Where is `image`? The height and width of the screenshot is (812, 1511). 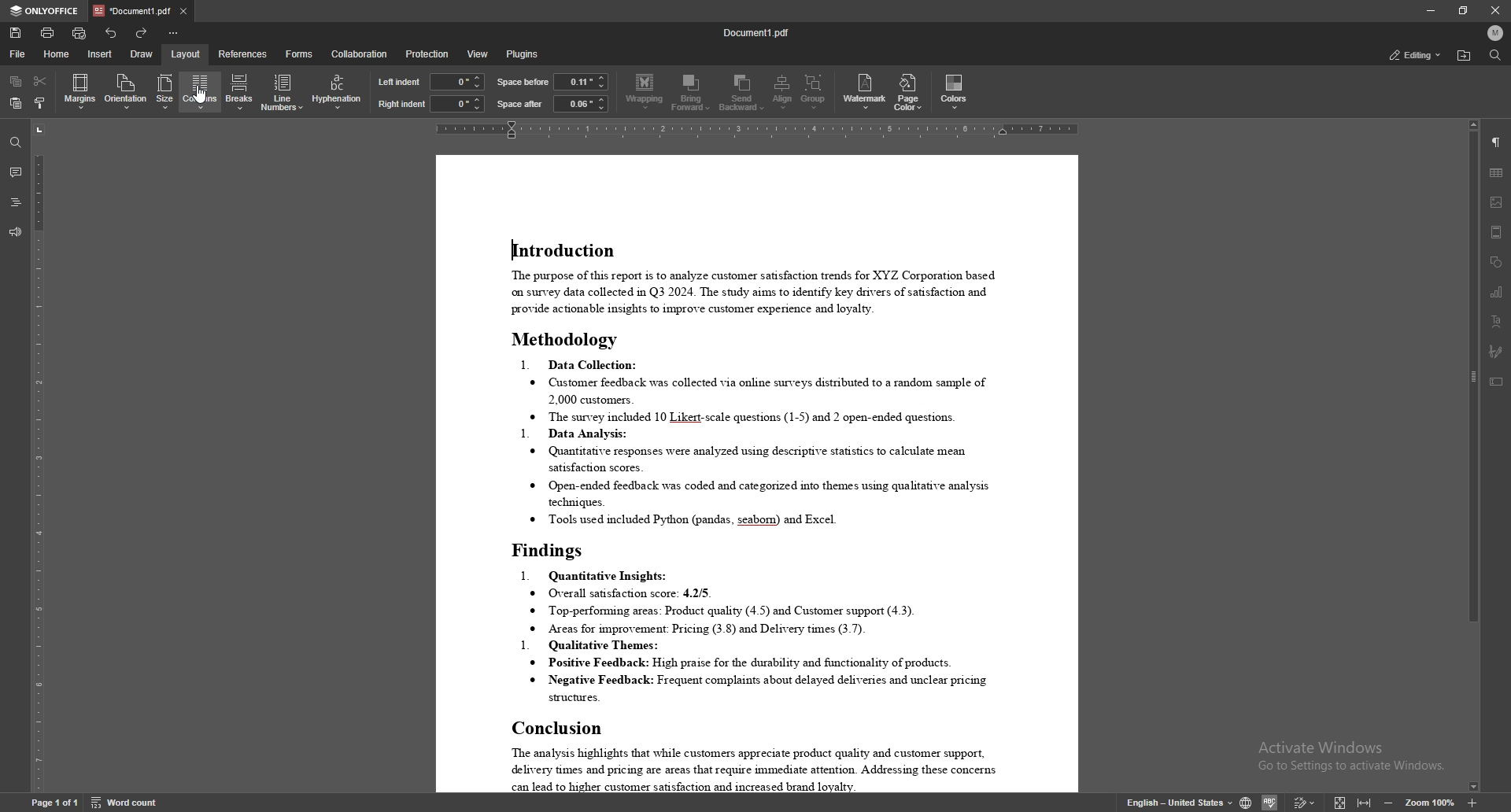
image is located at coordinates (1497, 201).